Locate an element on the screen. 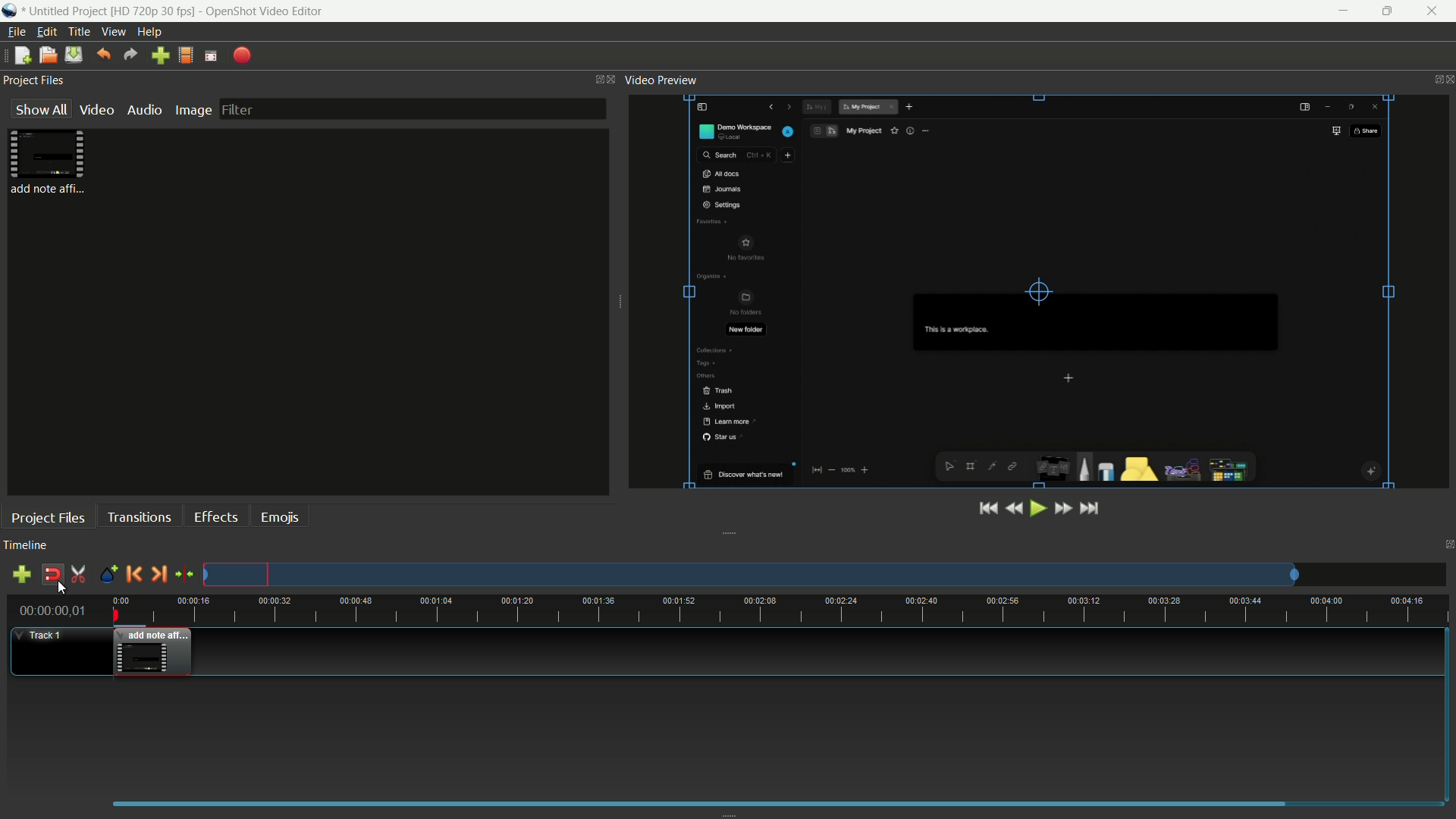 Image resolution: width=1456 pixels, height=819 pixels. add track is located at coordinates (20, 575).